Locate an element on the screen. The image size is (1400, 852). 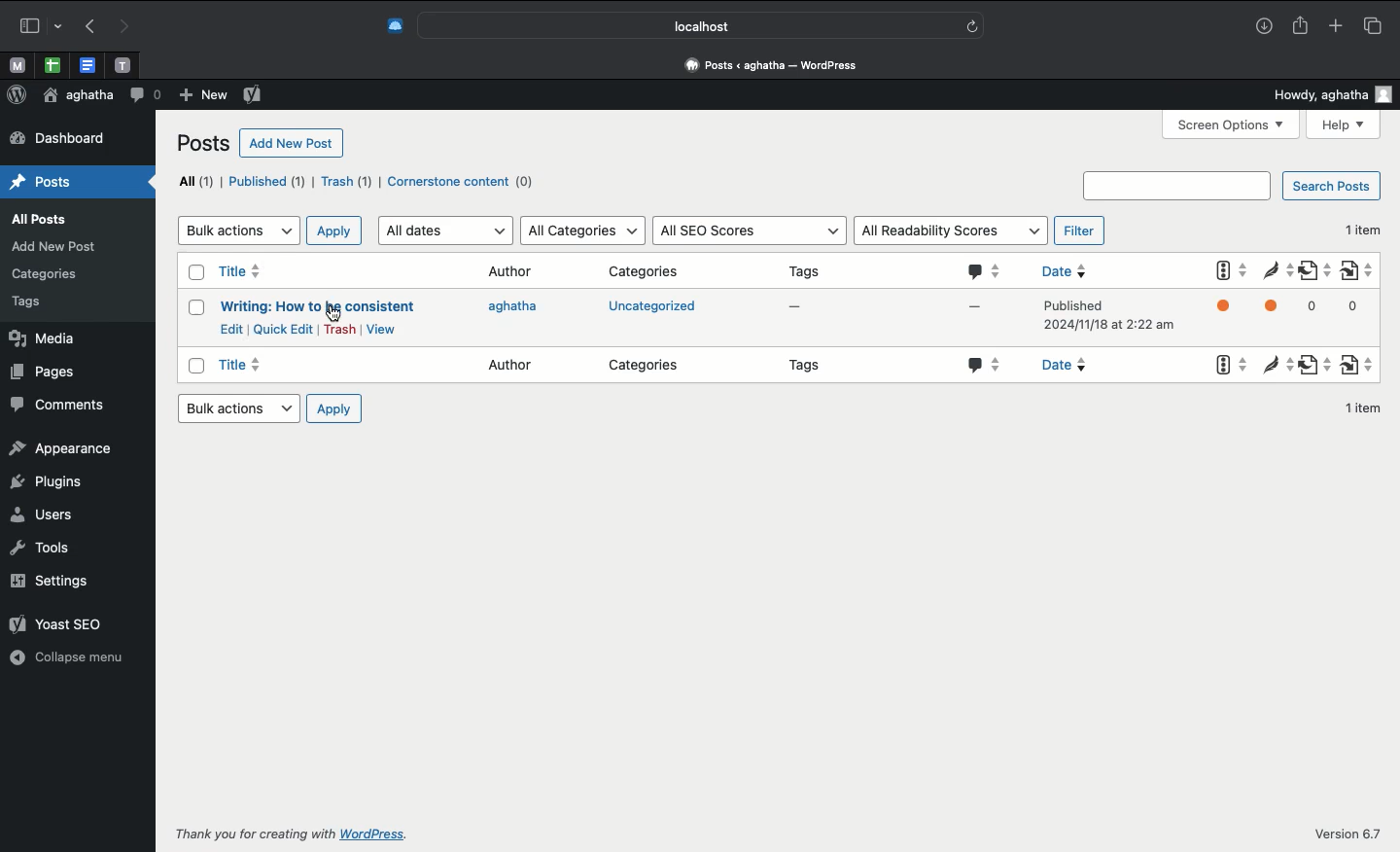
Internal links is located at coordinates (1357, 270).